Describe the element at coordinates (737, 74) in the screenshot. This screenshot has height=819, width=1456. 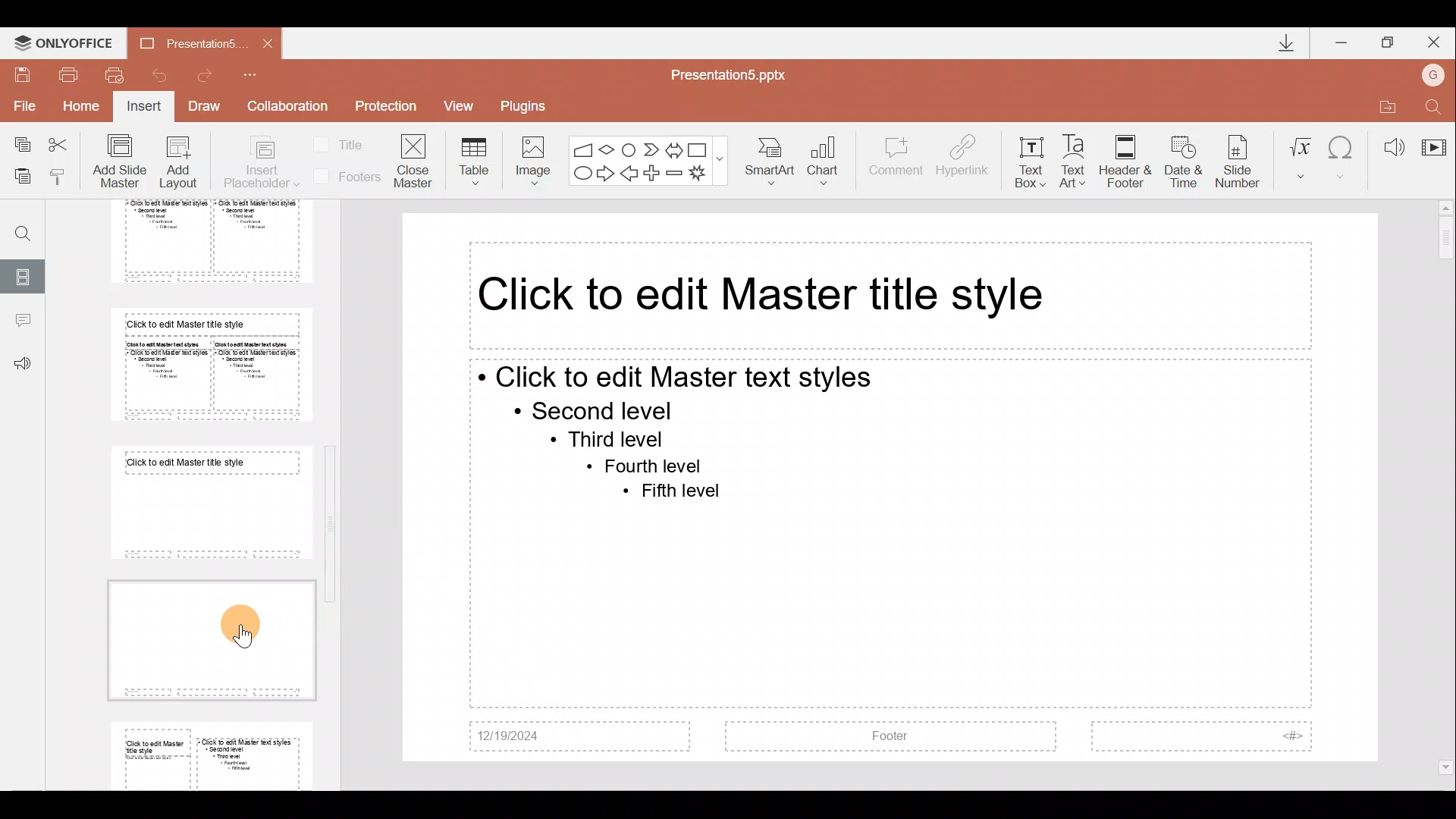
I see `Document name` at that location.